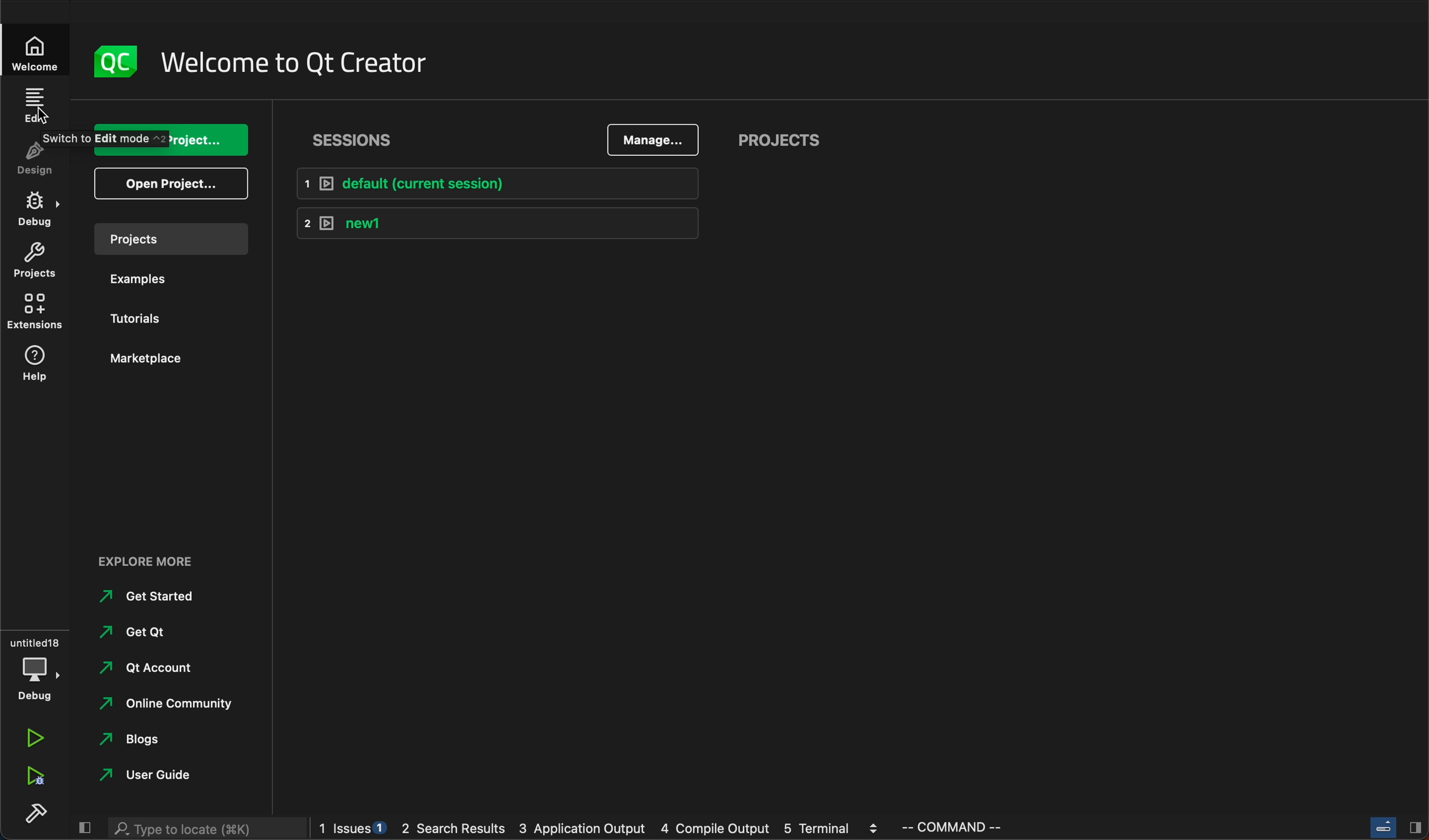  Describe the element at coordinates (495, 183) in the screenshot. I see `default` at that location.